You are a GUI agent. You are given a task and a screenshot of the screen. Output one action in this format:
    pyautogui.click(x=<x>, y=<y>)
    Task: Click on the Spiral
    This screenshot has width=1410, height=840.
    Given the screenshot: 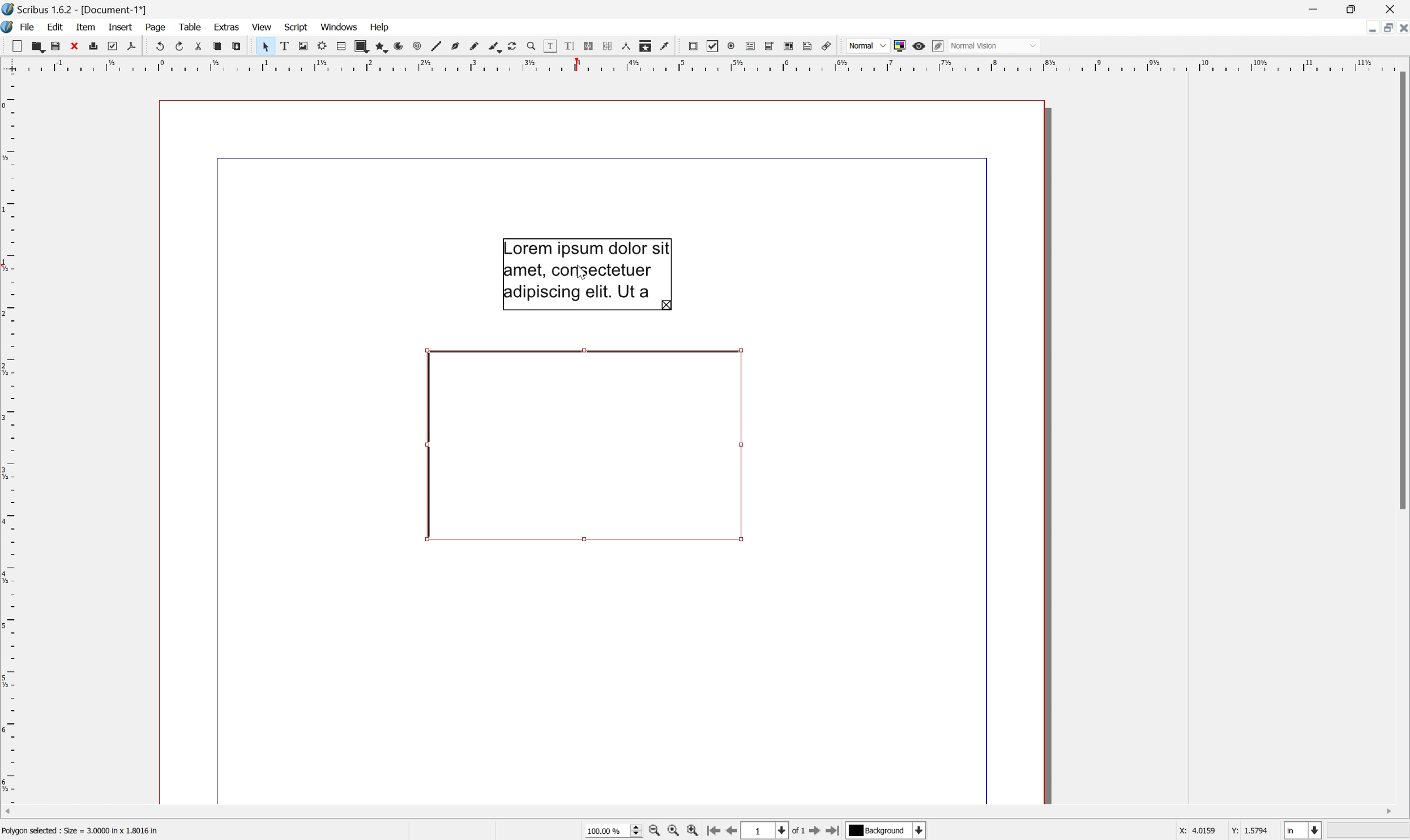 What is the action you would take?
    pyautogui.click(x=417, y=46)
    